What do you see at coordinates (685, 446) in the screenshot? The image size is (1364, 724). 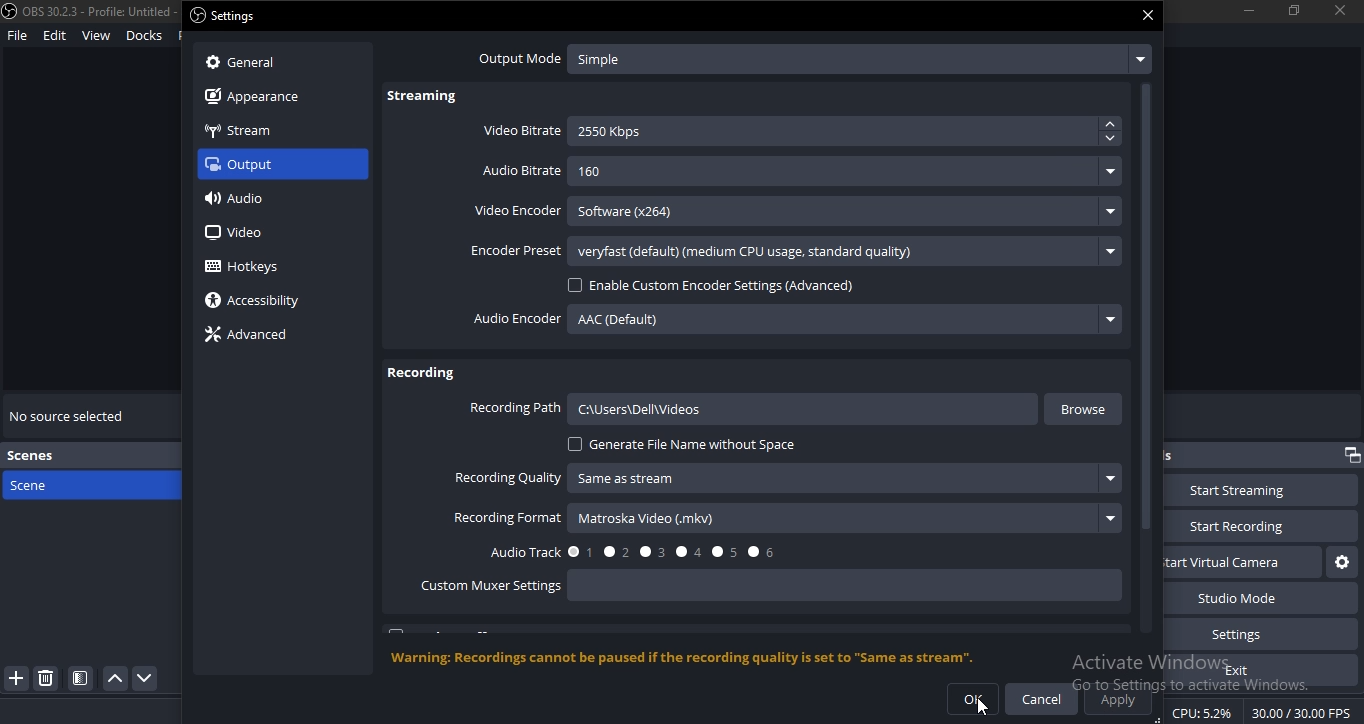 I see `generate file name without space` at bounding box center [685, 446].